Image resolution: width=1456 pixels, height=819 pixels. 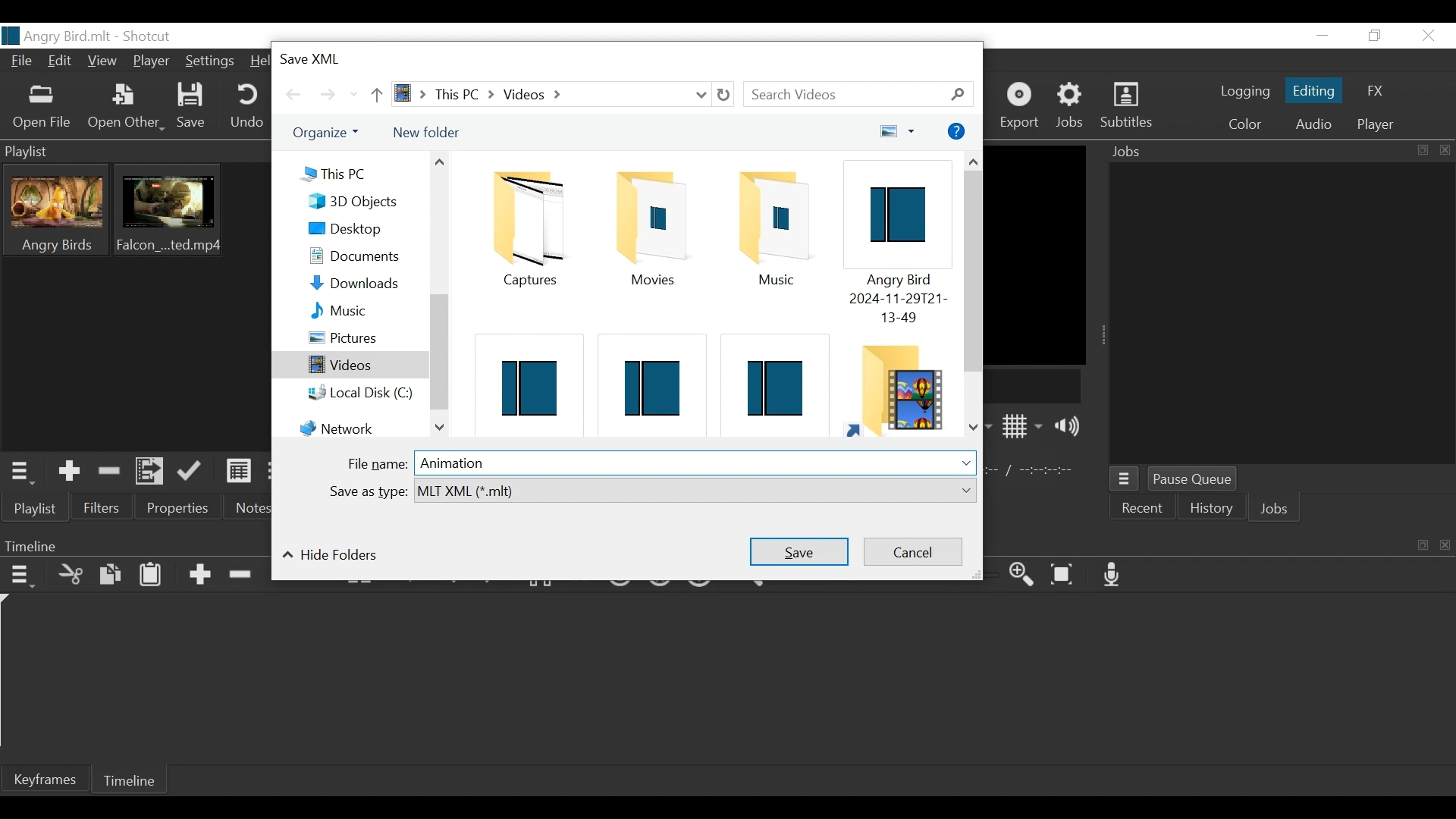 What do you see at coordinates (1223, 543) in the screenshot?
I see `Timeline Panel` at bounding box center [1223, 543].